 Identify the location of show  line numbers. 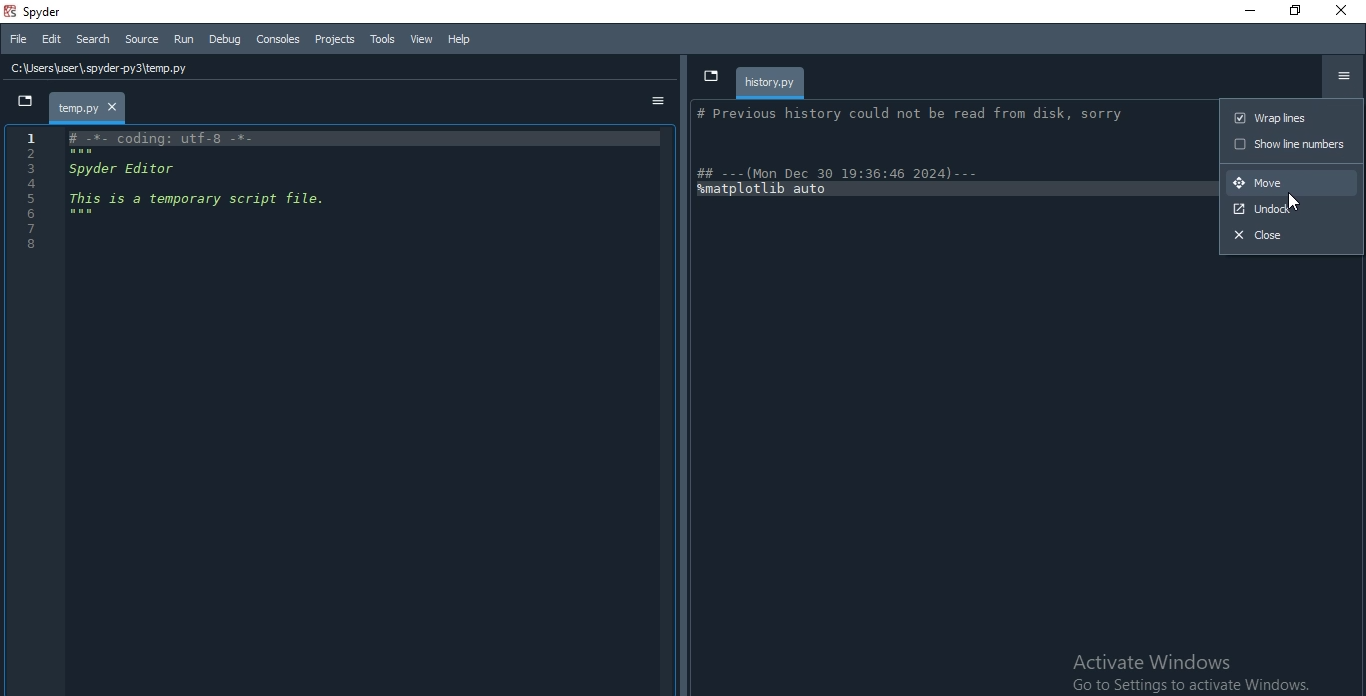
(1290, 145).